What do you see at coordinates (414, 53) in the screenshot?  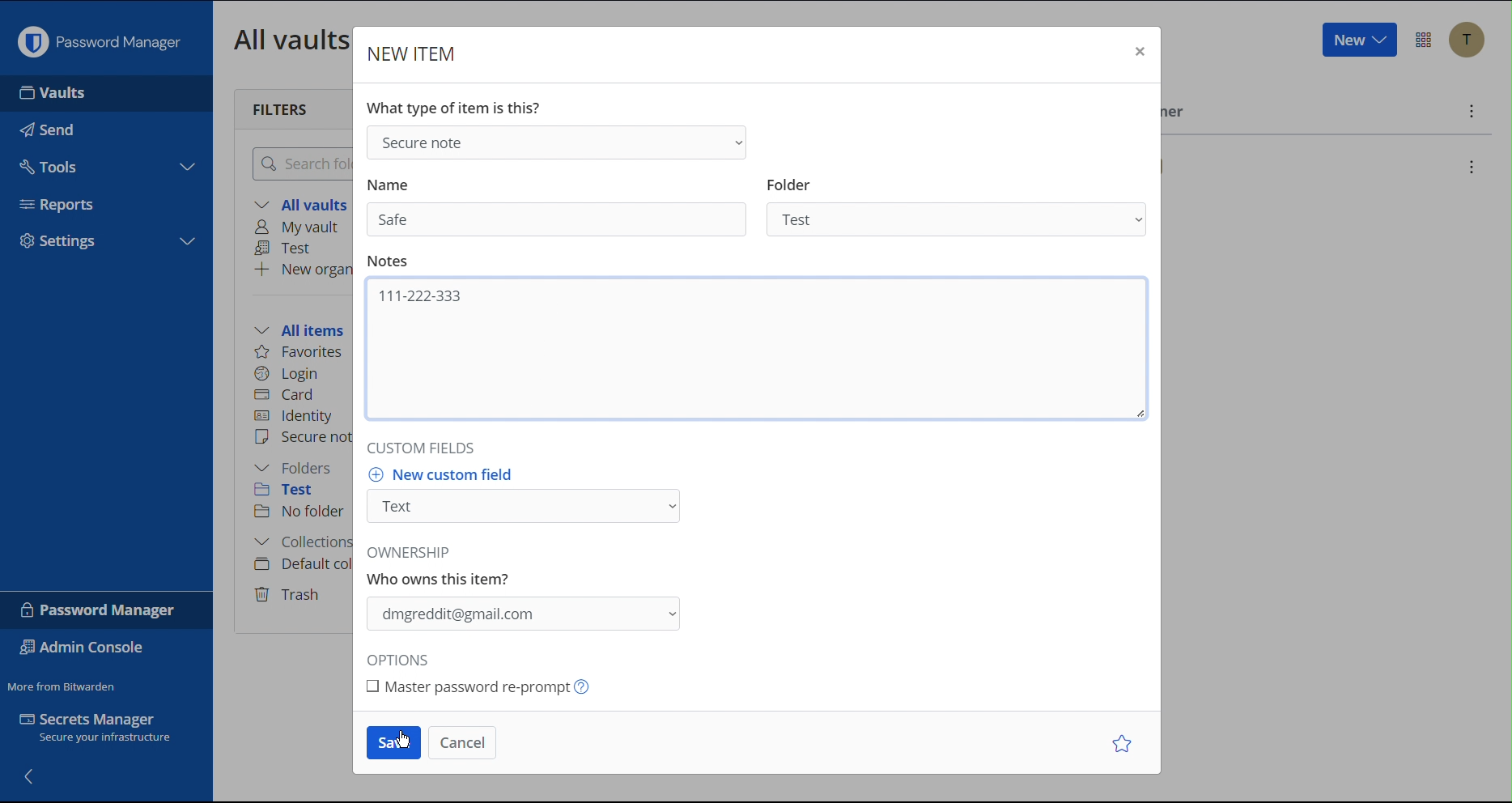 I see `New Item` at bounding box center [414, 53].